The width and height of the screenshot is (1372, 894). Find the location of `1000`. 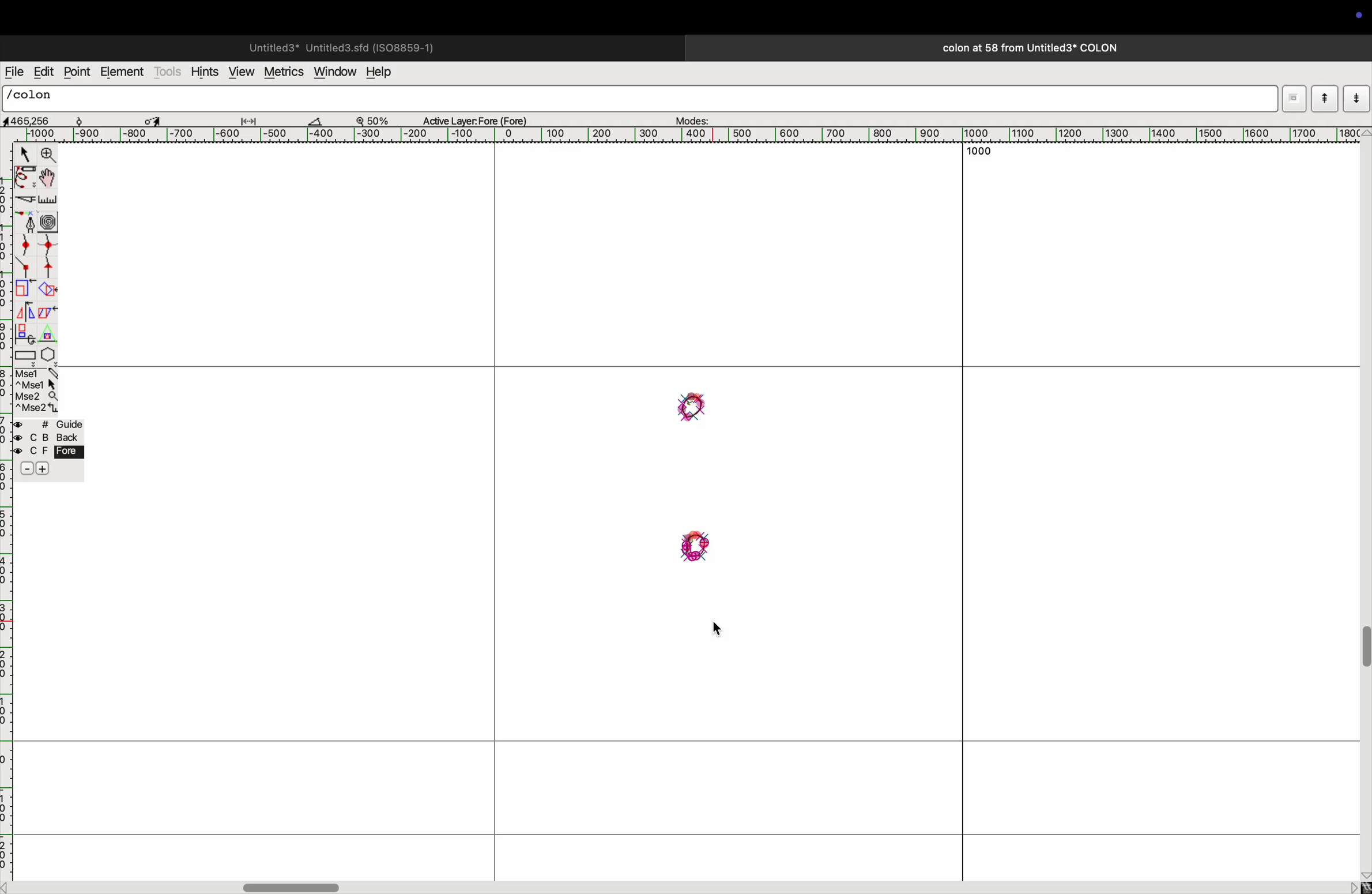

1000 is located at coordinates (975, 153).